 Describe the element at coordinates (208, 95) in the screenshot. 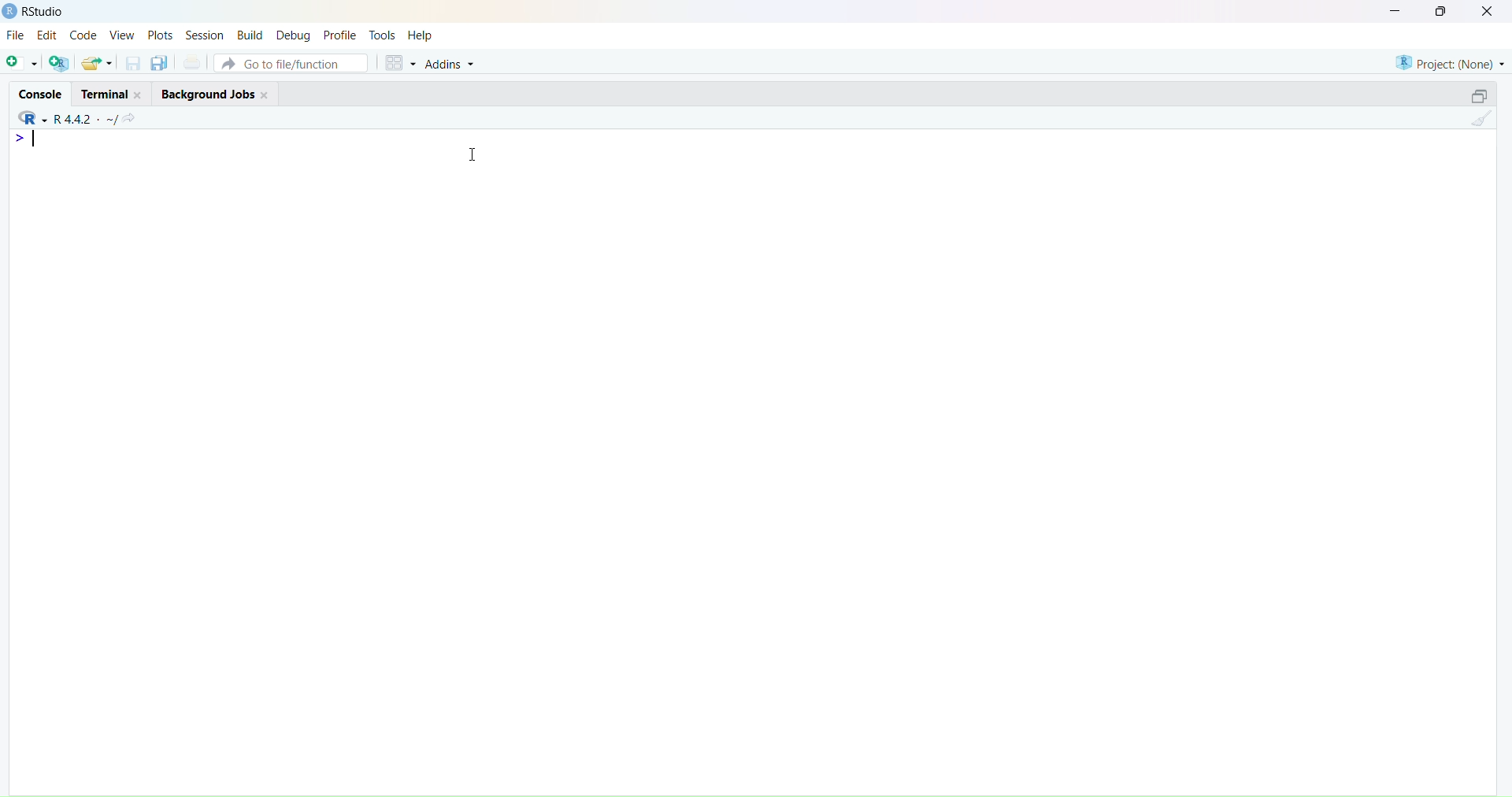

I see `background jobs` at that location.